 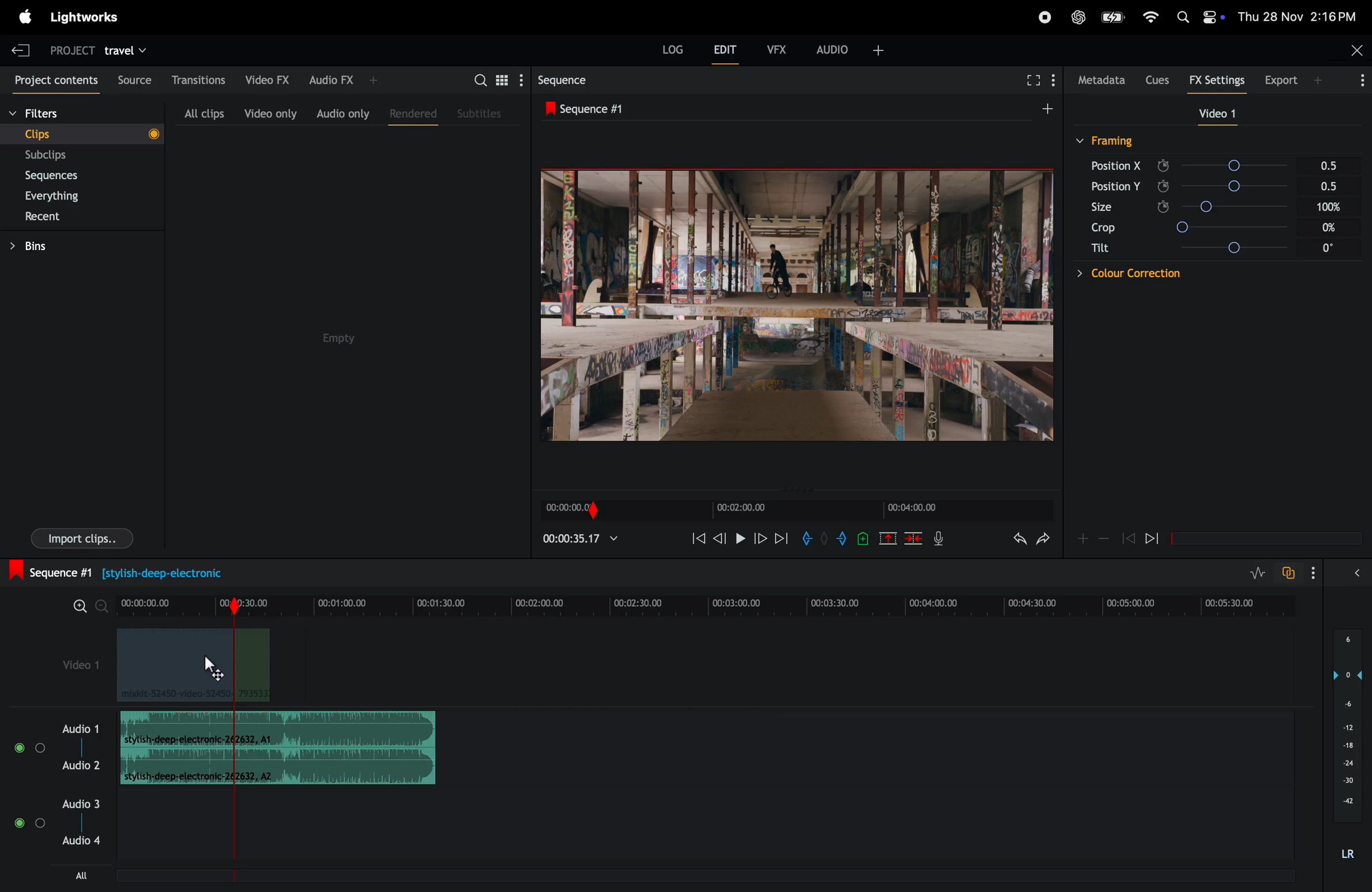 What do you see at coordinates (54, 81) in the screenshot?
I see `project contents` at bounding box center [54, 81].